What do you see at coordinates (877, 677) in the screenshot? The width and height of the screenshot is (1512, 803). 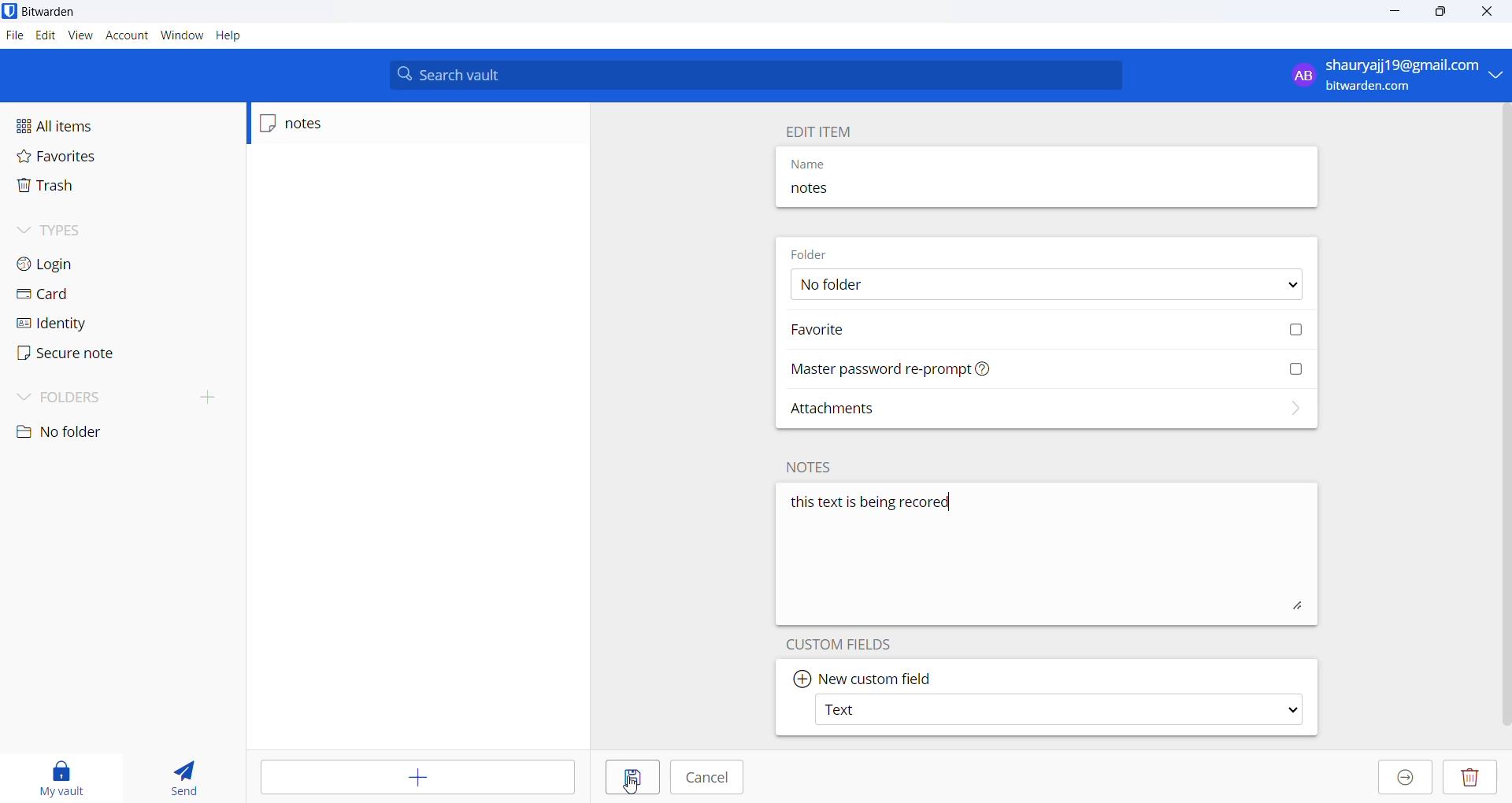 I see `new custom field` at bounding box center [877, 677].